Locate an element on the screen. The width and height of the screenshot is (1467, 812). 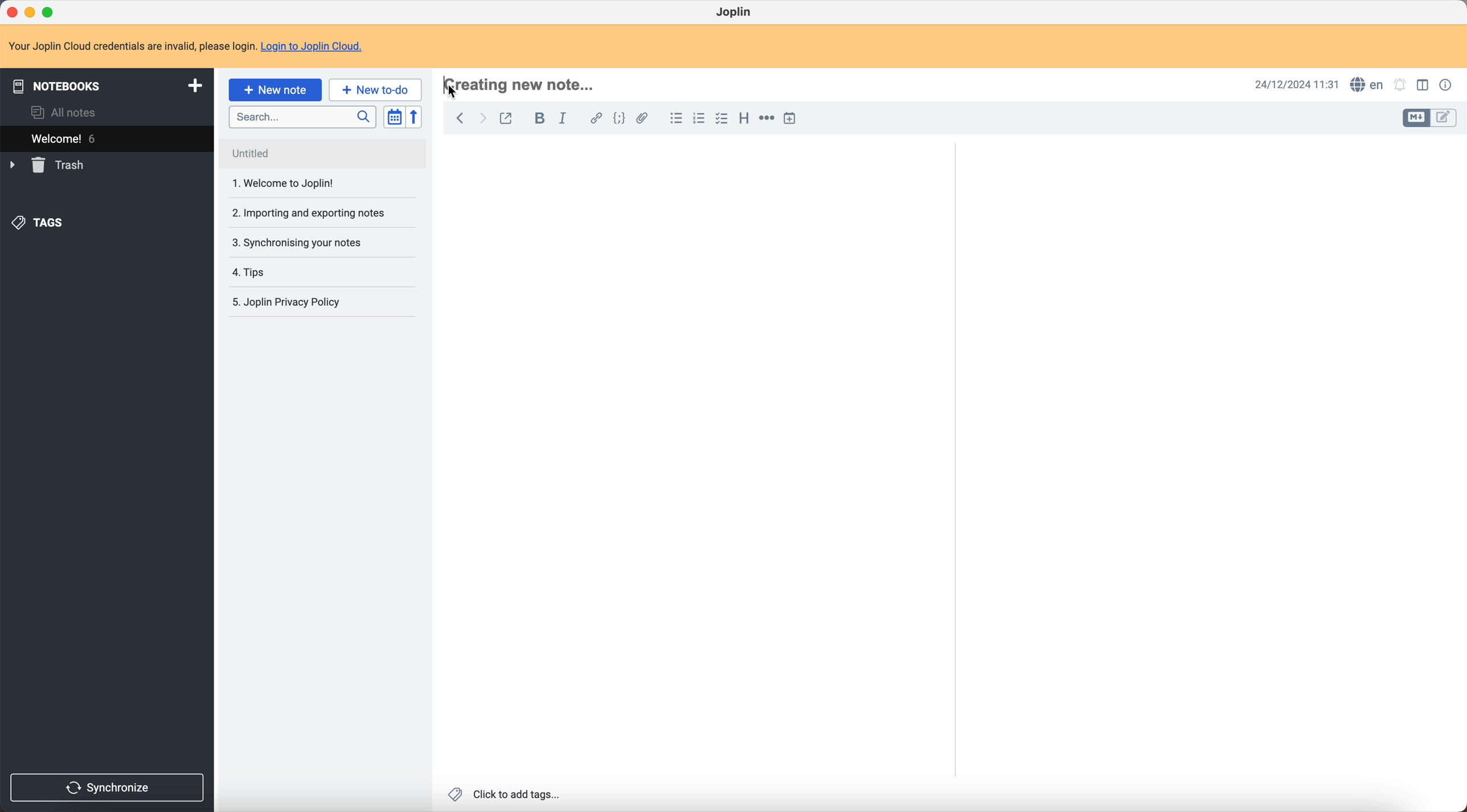
5. Joplin Privacy Policy is located at coordinates (294, 303).